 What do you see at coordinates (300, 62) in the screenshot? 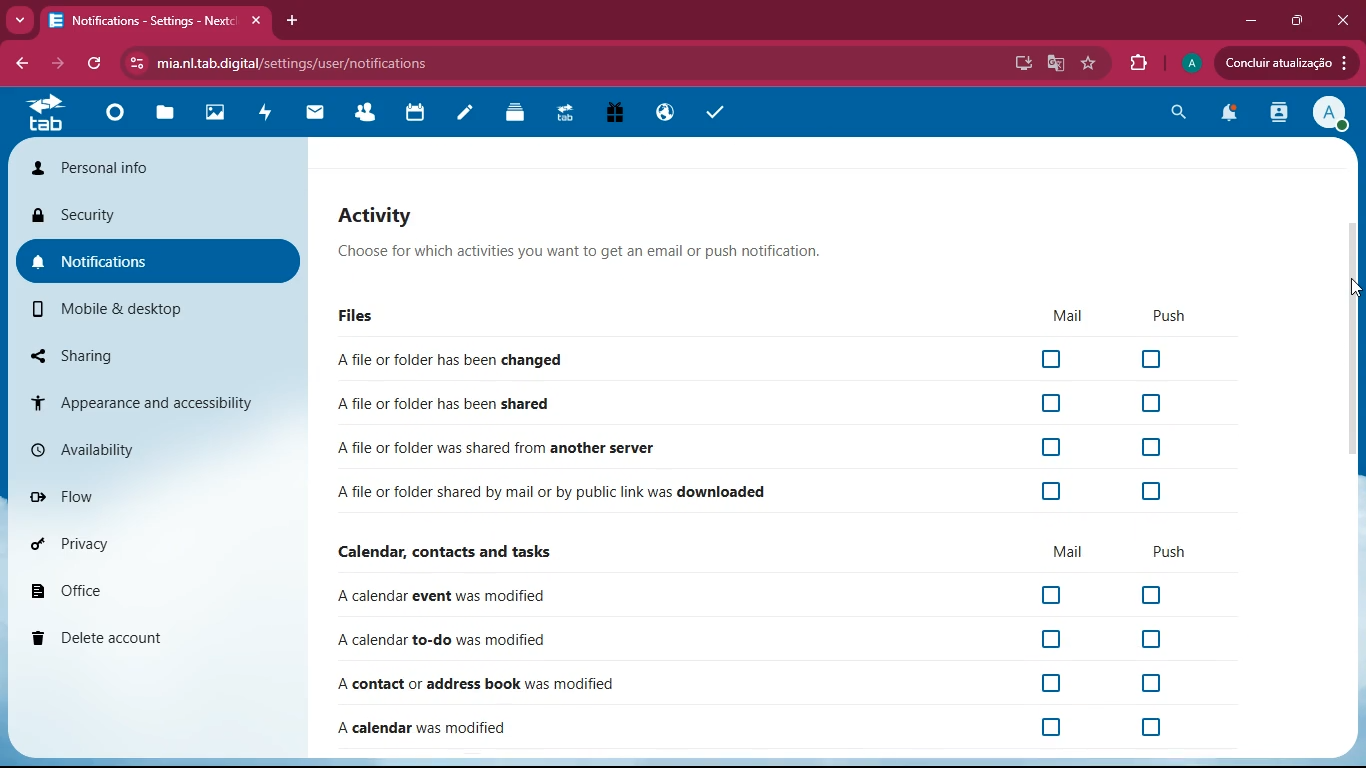
I see `mia.nltab.digital/settings/user/notifications` at bounding box center [300, 62].